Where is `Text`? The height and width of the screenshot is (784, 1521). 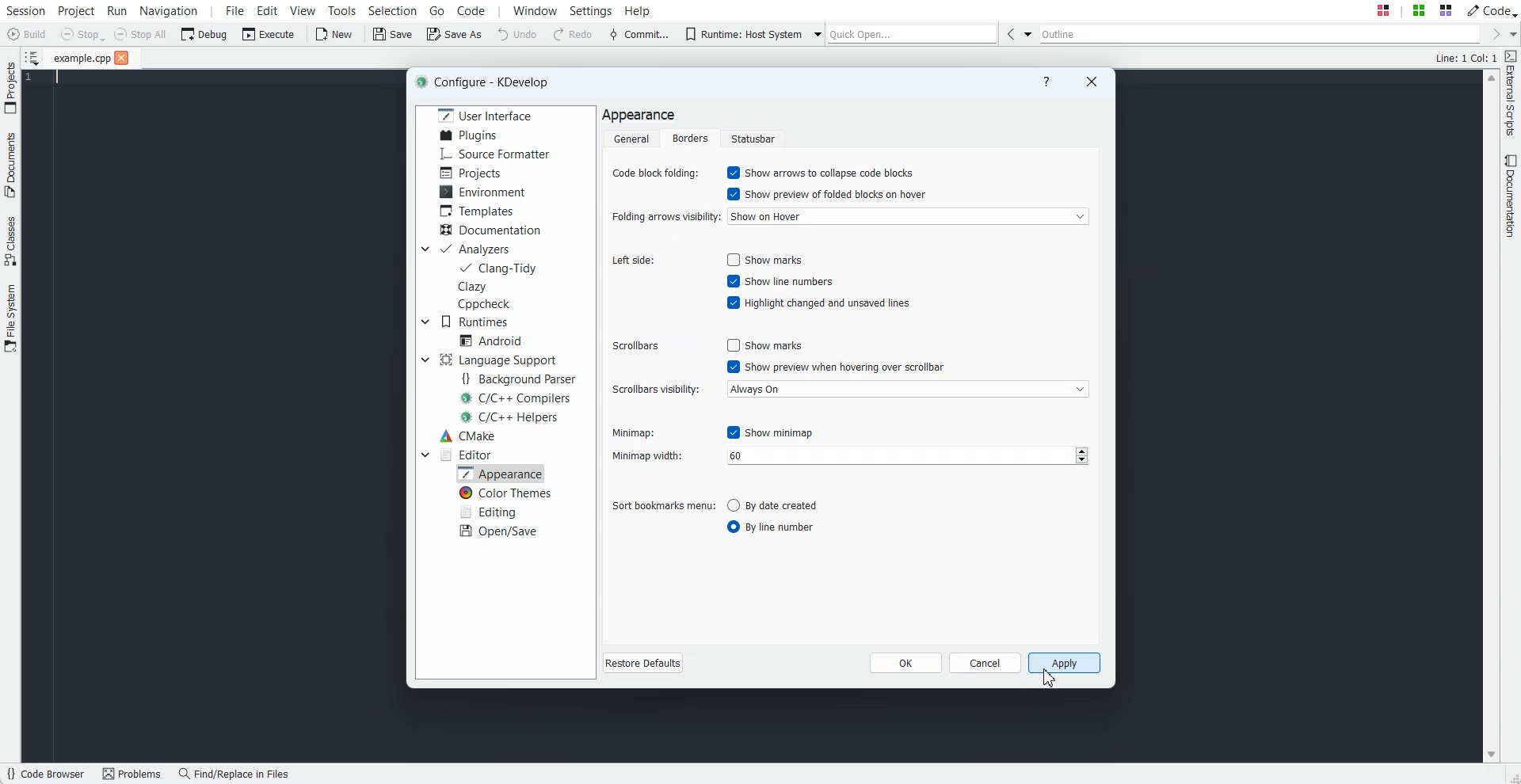
Text is located at coordinates (1466, 57).